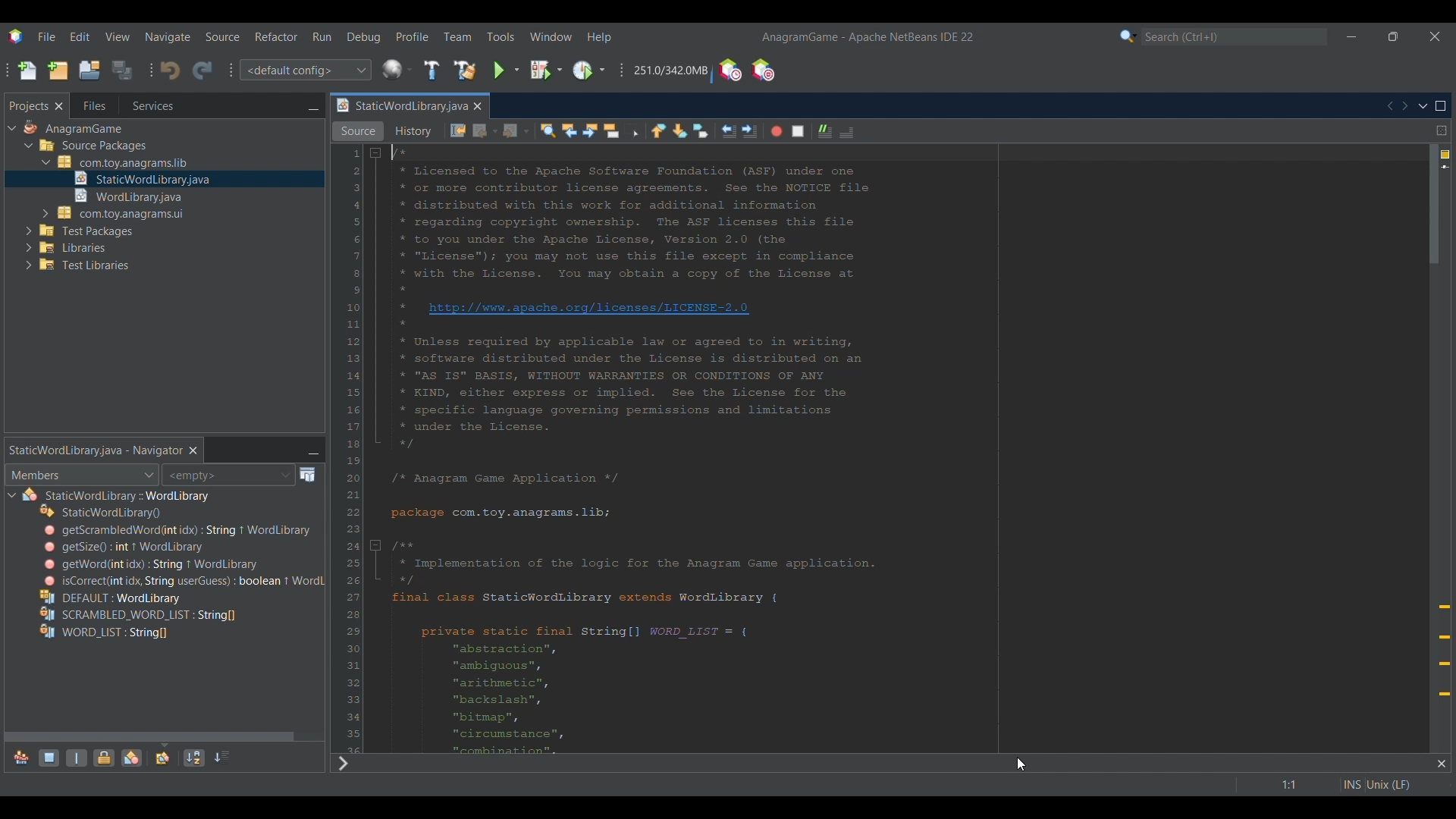 The height and width of the screenshot is (819, 1456). Describe the element at coordinates (364, 36) in the screenshot. I see `Debug menu` at that location.